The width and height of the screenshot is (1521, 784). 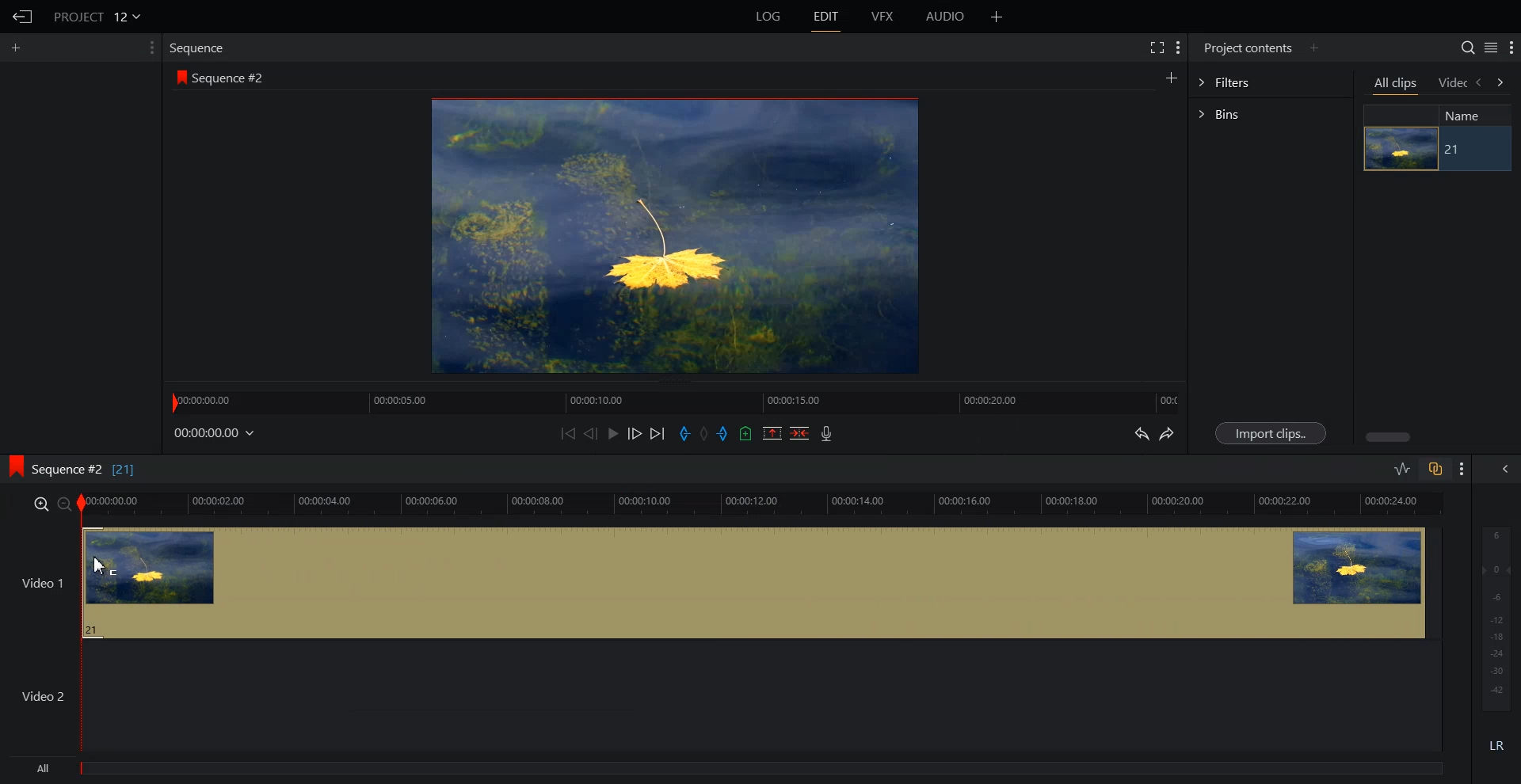 I want to click on Video Preview, so click(x=684, y=240).